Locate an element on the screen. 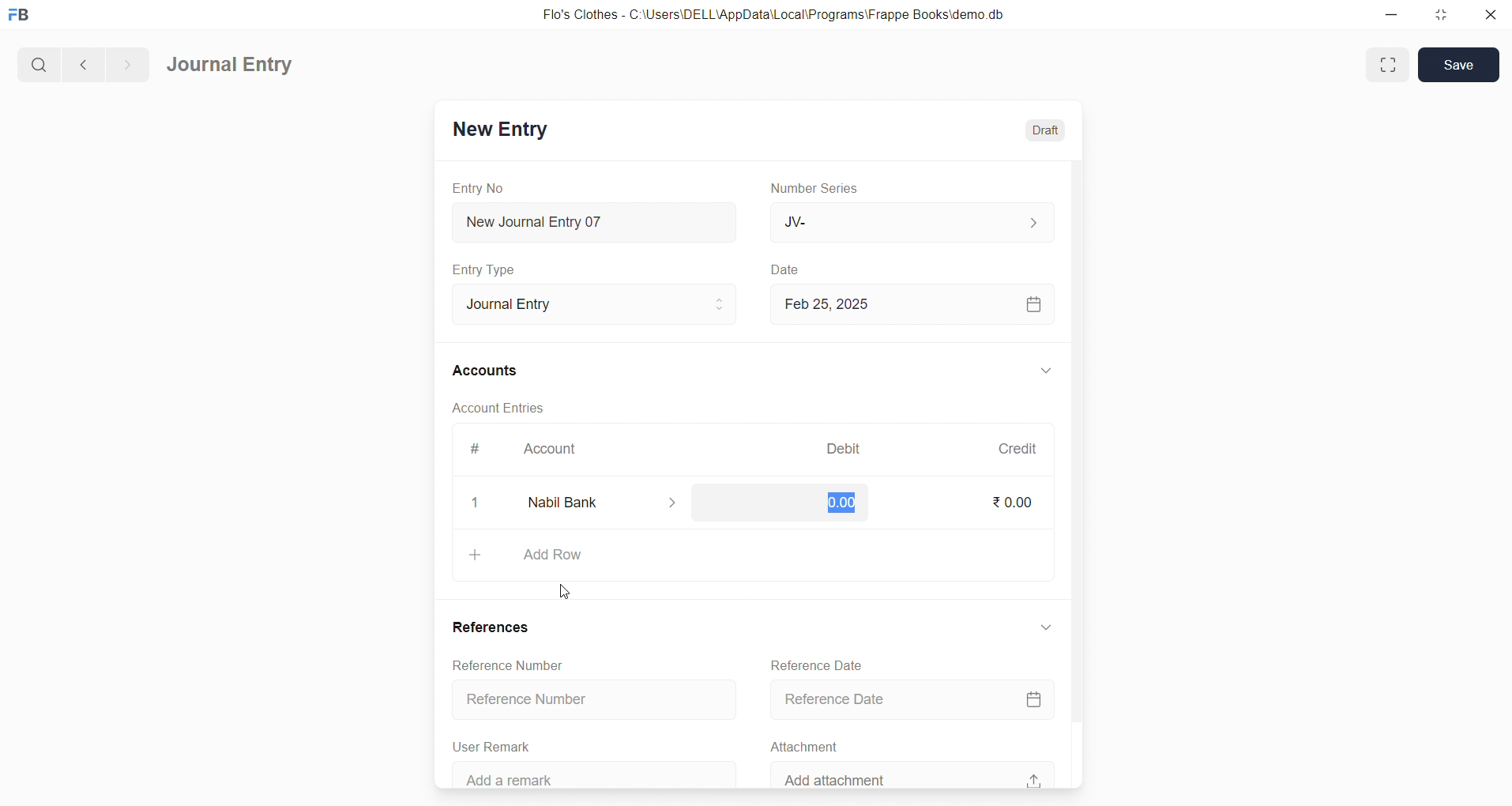  Debit is located at coordinates (844, 447).